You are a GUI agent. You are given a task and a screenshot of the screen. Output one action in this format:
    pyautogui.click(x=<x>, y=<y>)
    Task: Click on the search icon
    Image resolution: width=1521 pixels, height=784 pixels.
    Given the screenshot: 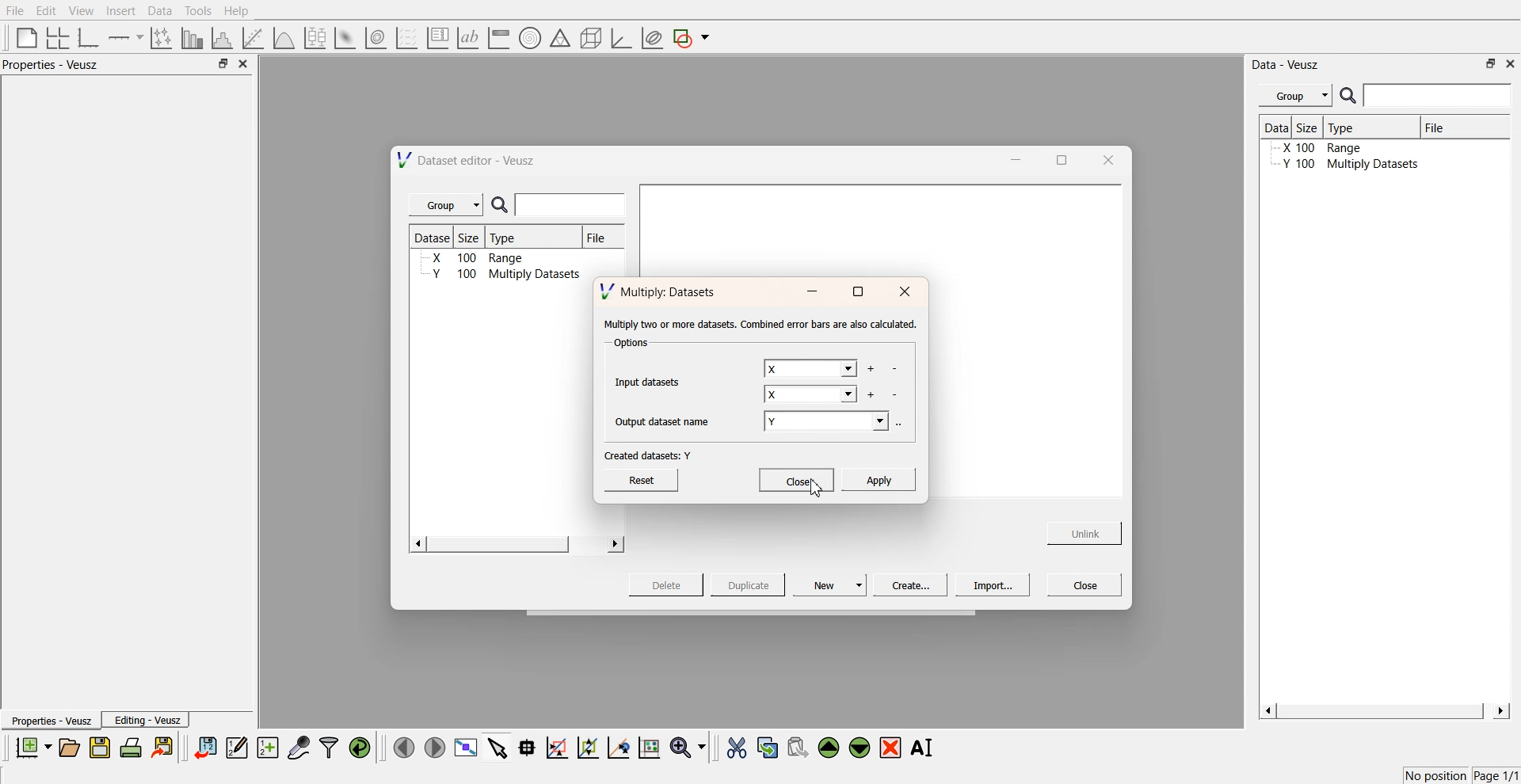 What is the action you would take?
    pyautogui.click(x=503, y=206)
    